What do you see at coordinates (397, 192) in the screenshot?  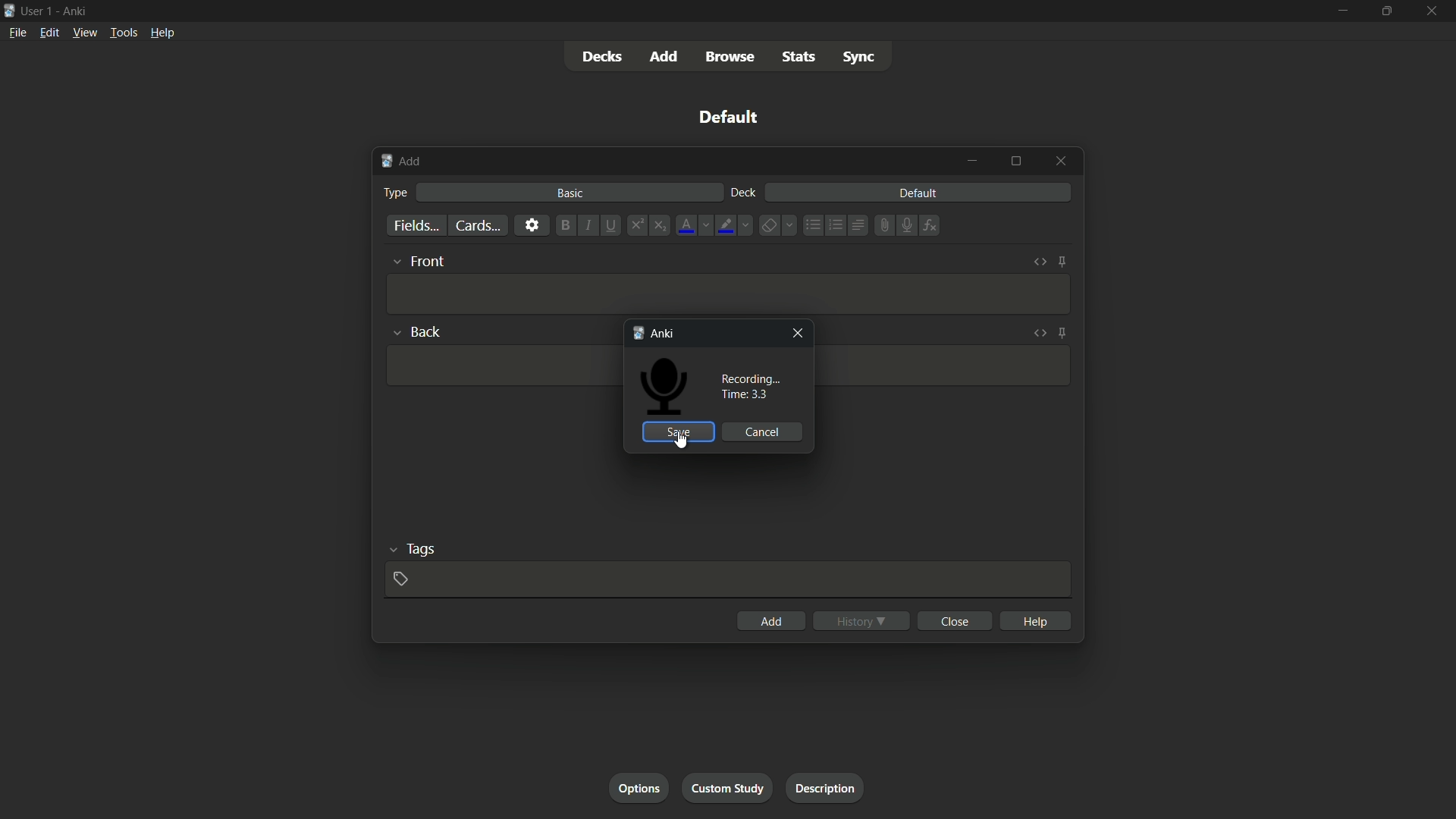 I see `type` at bounding box center [397, 192].